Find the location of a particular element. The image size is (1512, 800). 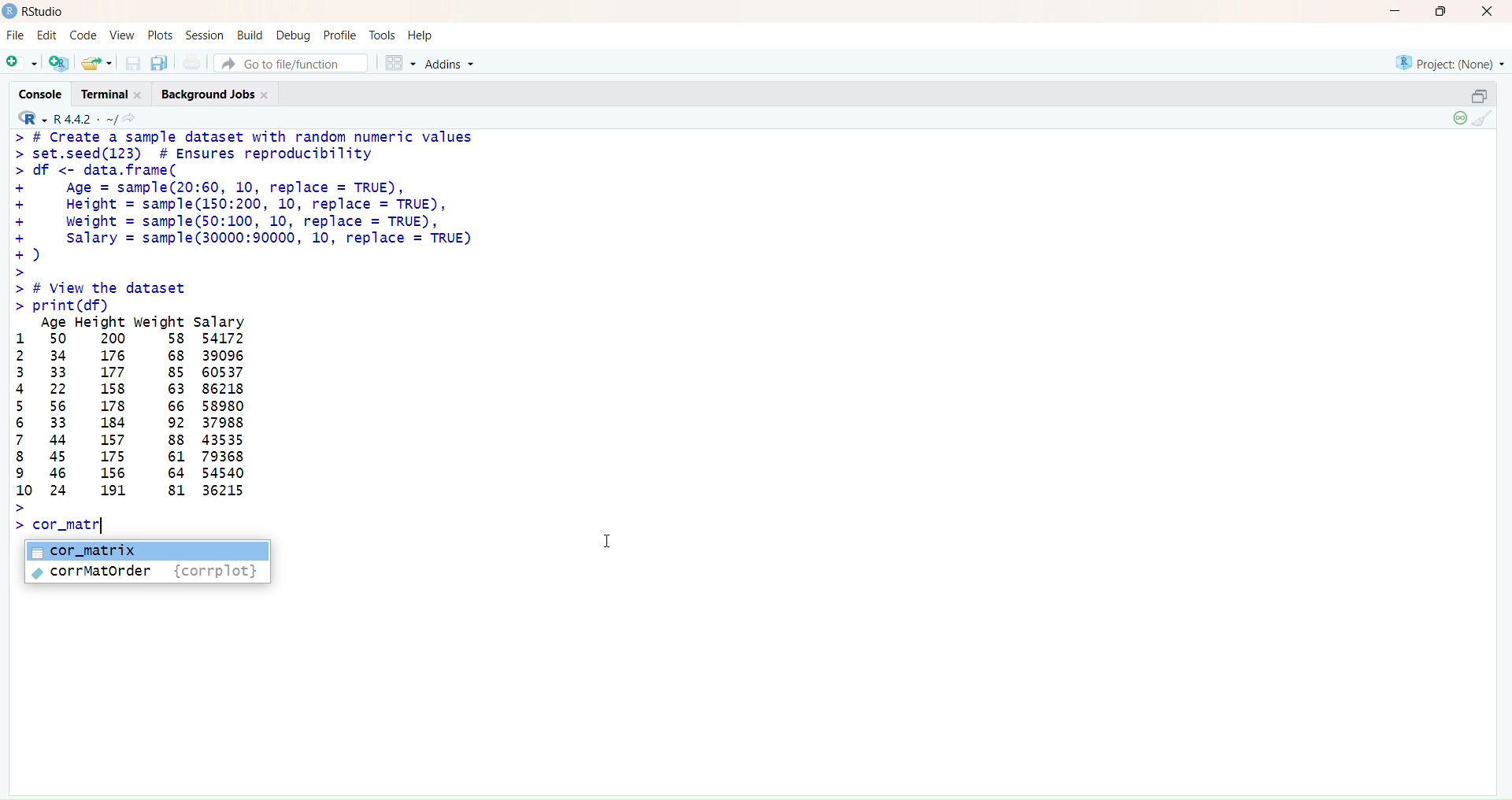

Close is located at coordinates (1485, 13).